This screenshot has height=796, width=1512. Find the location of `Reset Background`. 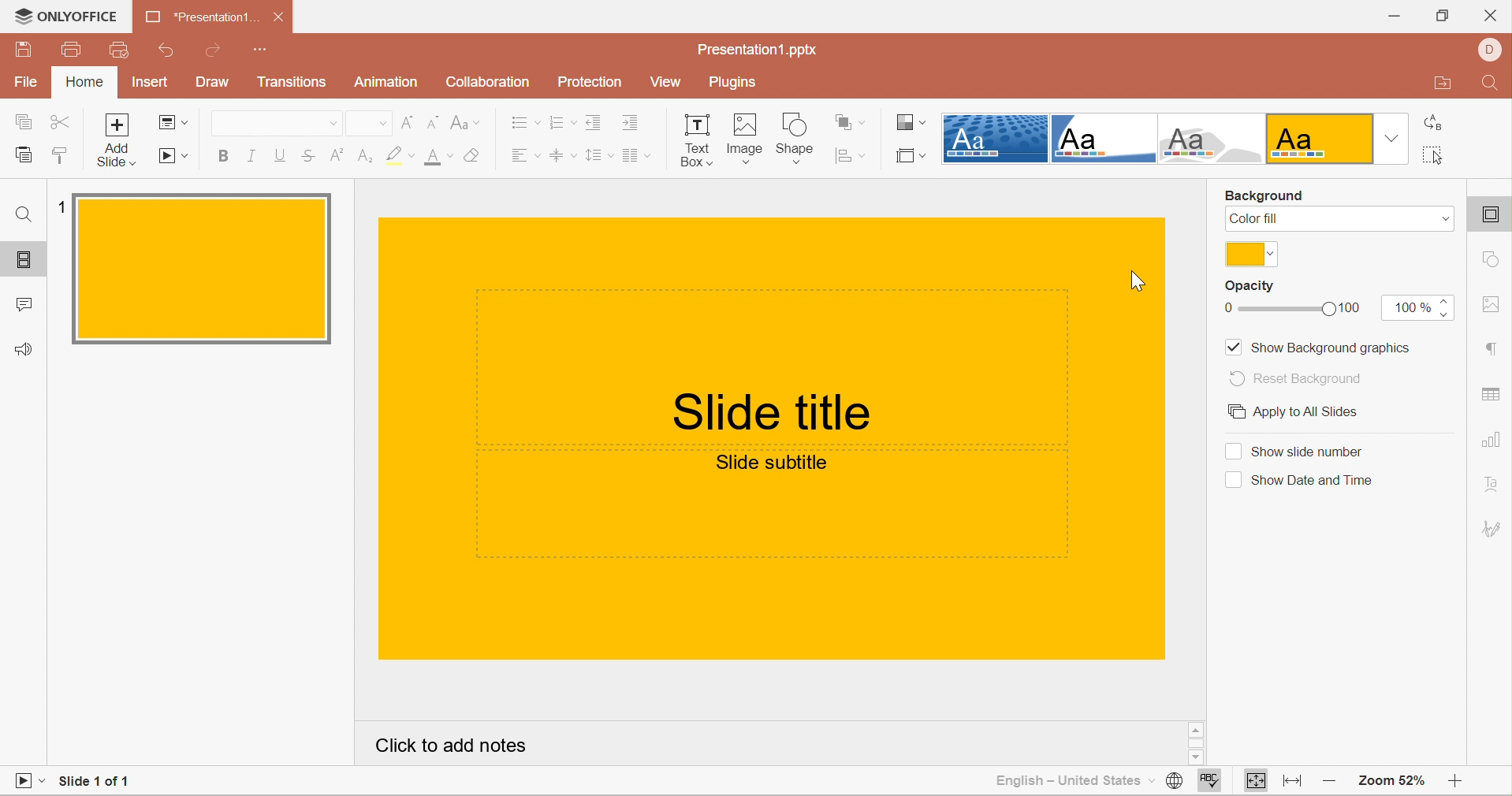

Reset Background is located at coordinates (1295, 378).